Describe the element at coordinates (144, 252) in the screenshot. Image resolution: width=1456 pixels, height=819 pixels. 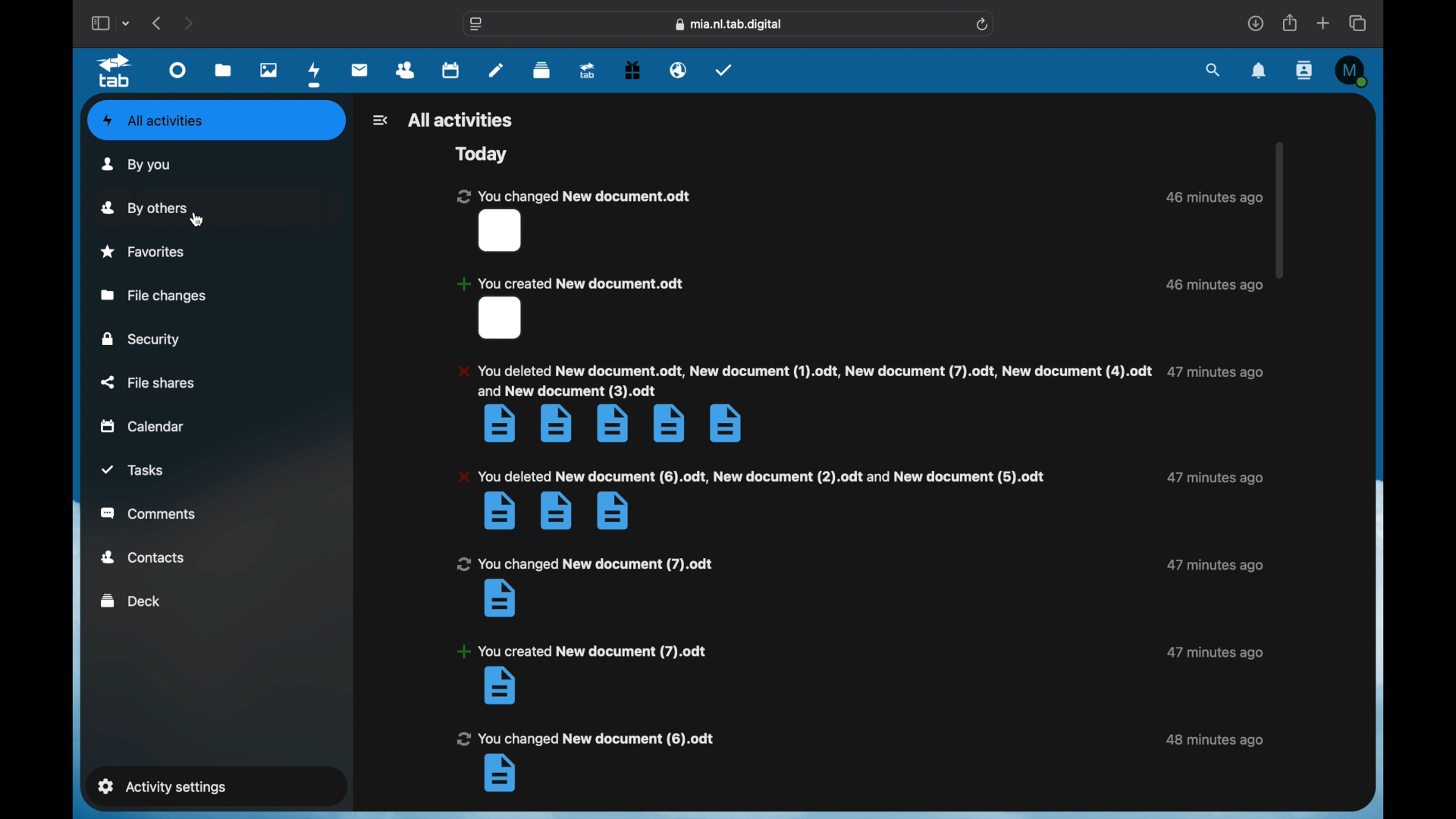
I see `favorites` at that location.